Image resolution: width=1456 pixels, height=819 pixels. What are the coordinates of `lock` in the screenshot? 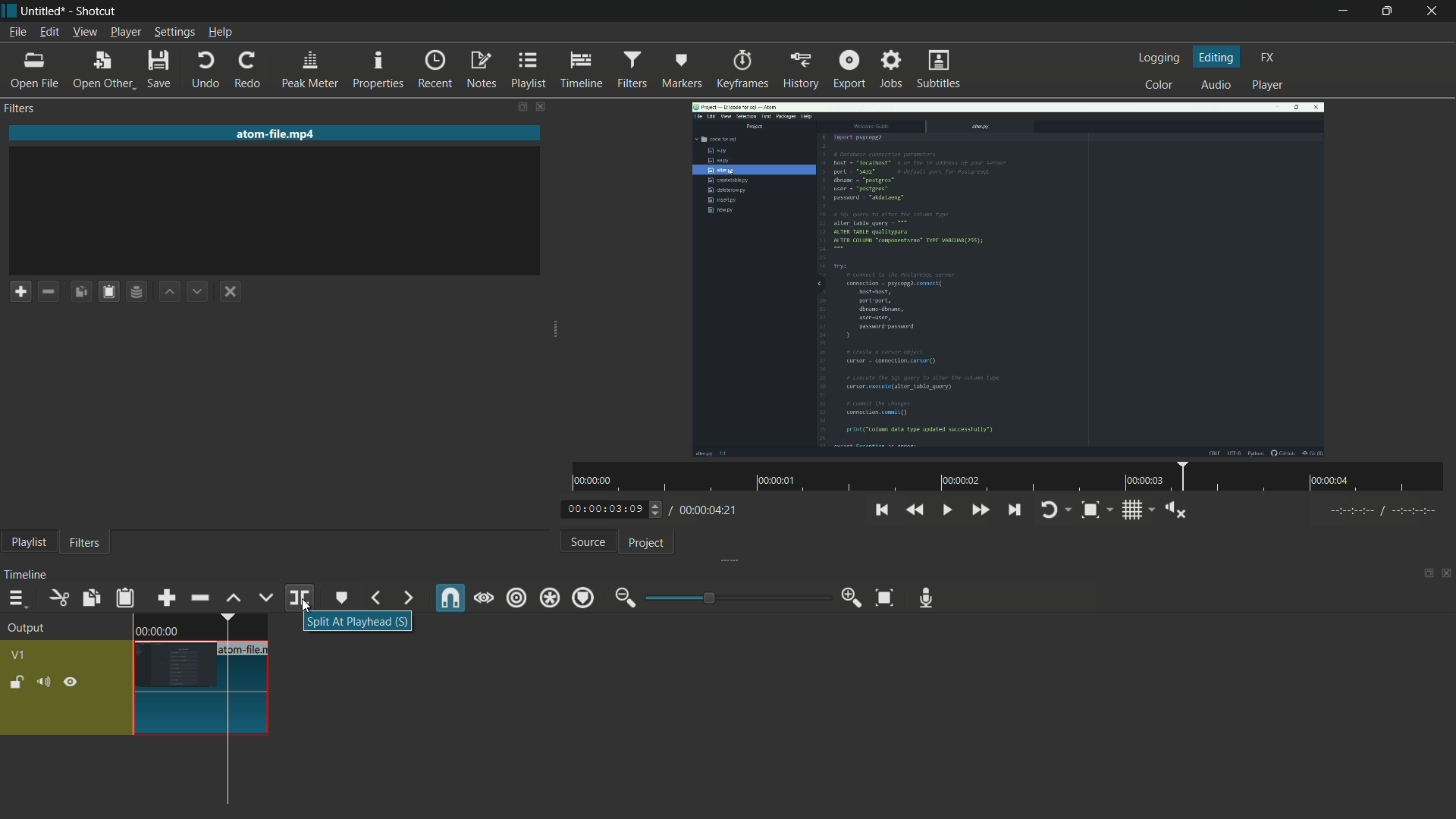 It's located at (16, 684).